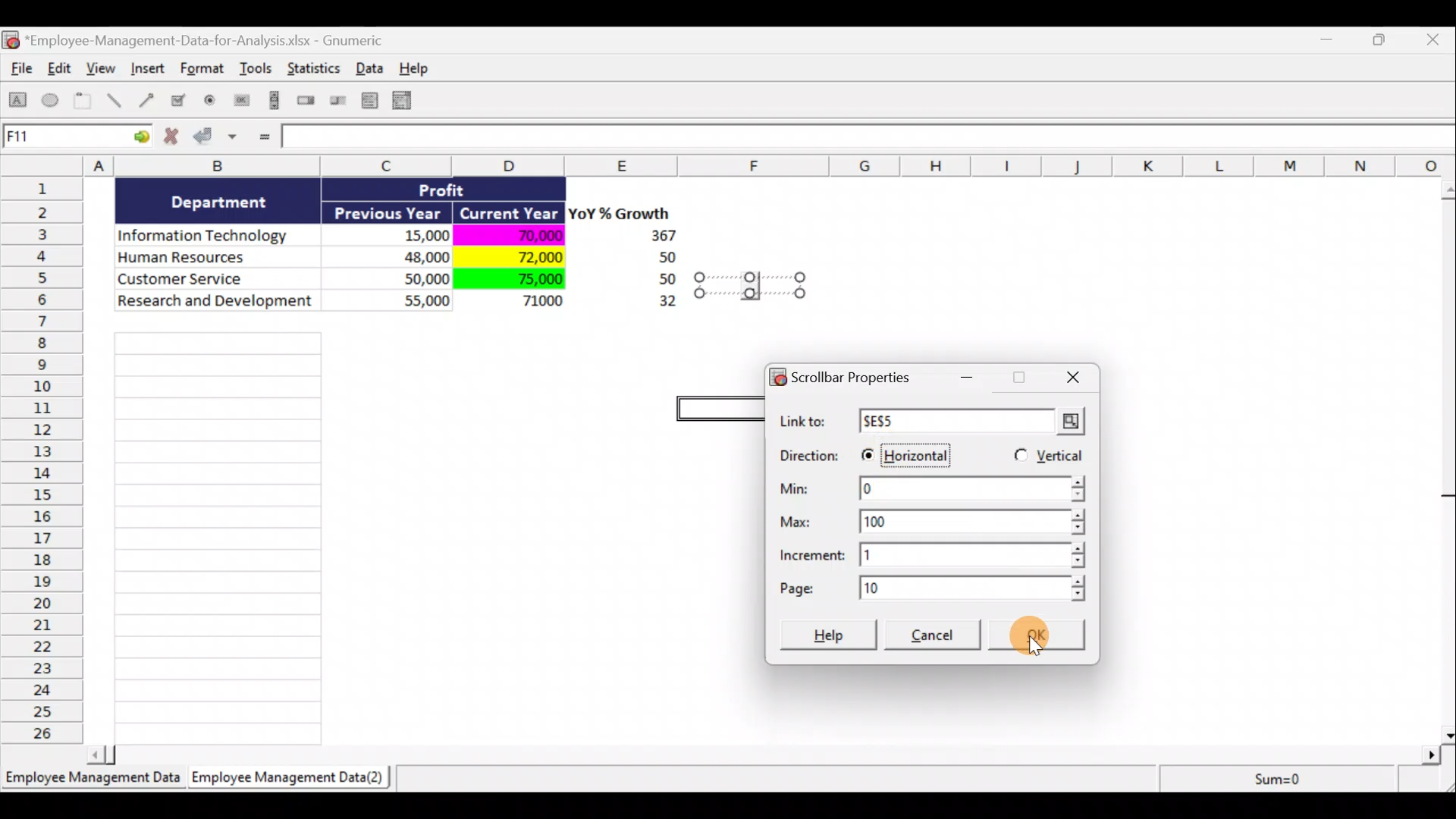 Image resolution: width=1456 pixels, height=819 pixels. Describe the element at coordinates (1436, 41) in the screenshot. I see `Close` at that location.